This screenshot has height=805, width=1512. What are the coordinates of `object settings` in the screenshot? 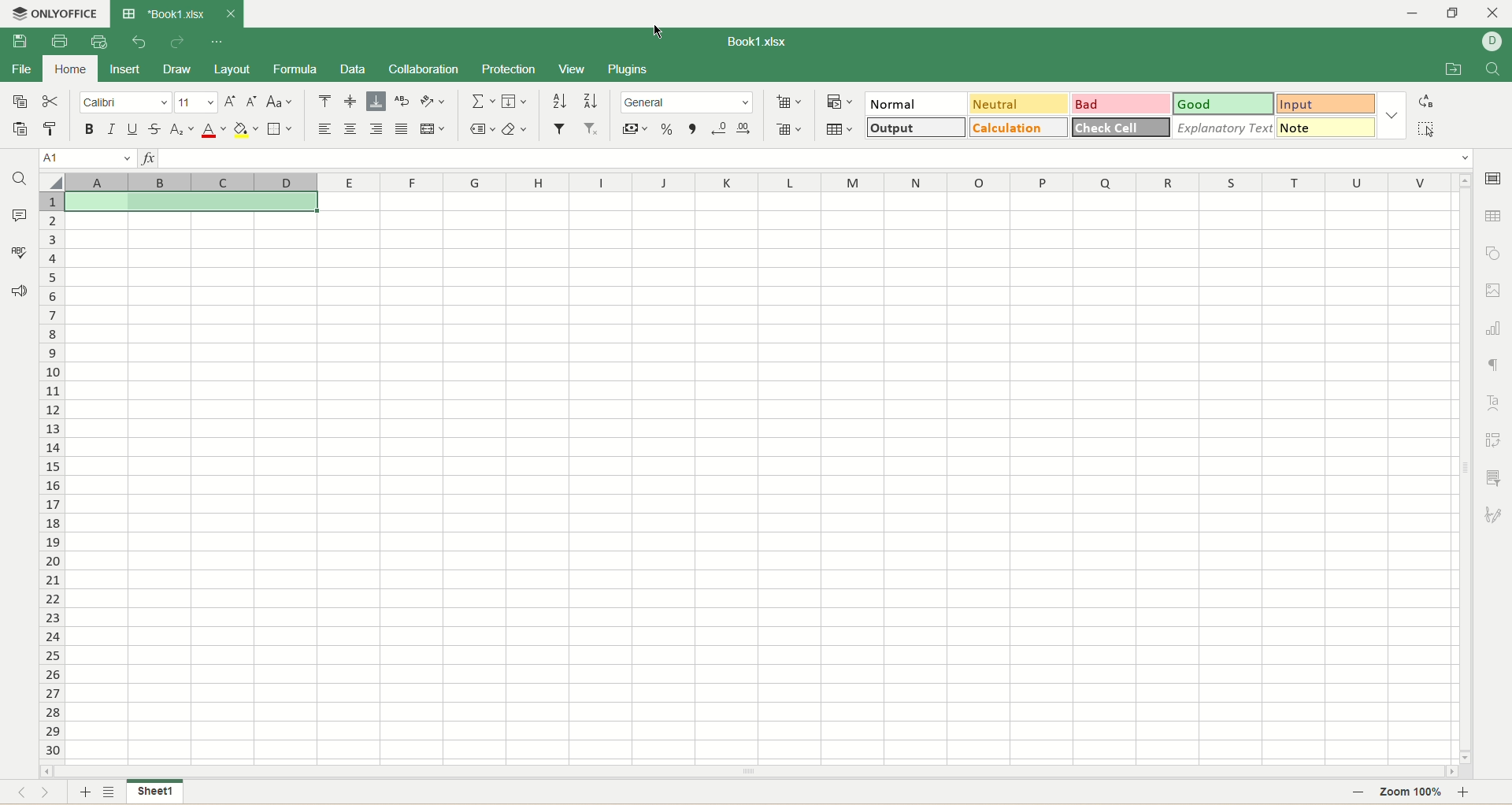 It's located at (1494, 252).